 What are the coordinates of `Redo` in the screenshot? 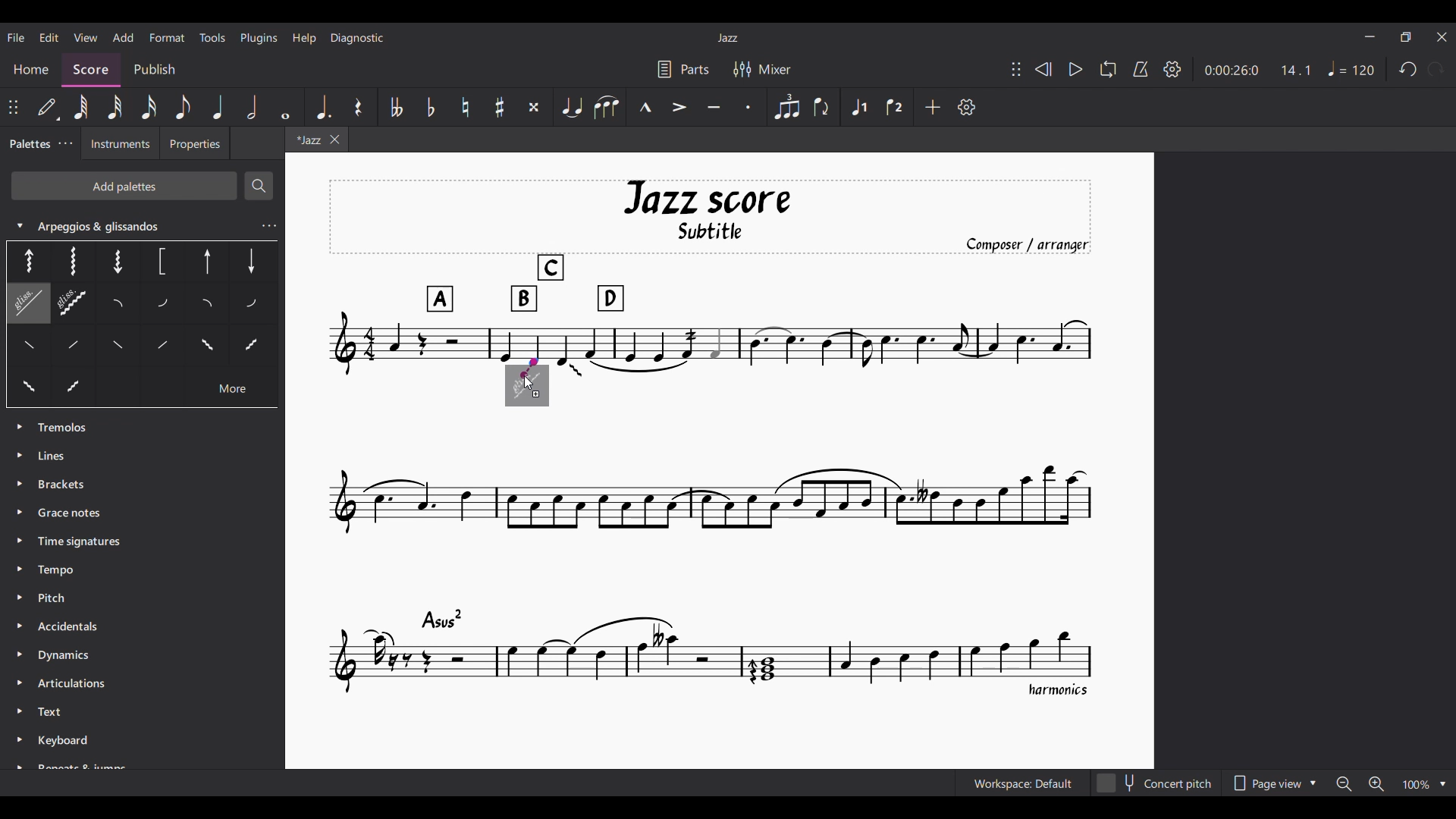 It's located at (1436, 69).